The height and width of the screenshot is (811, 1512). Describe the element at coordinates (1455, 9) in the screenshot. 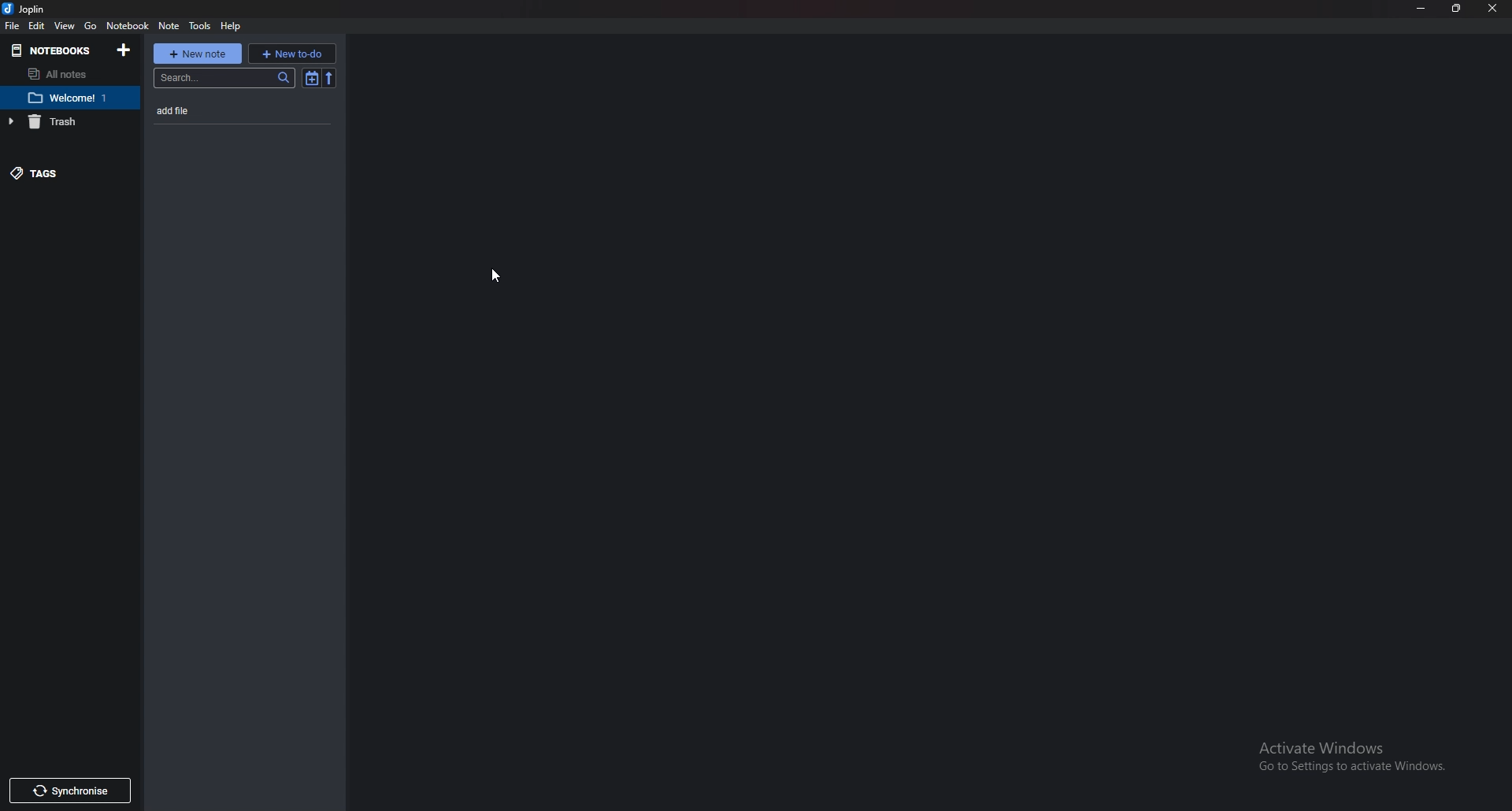

I see `Resize` at that location.